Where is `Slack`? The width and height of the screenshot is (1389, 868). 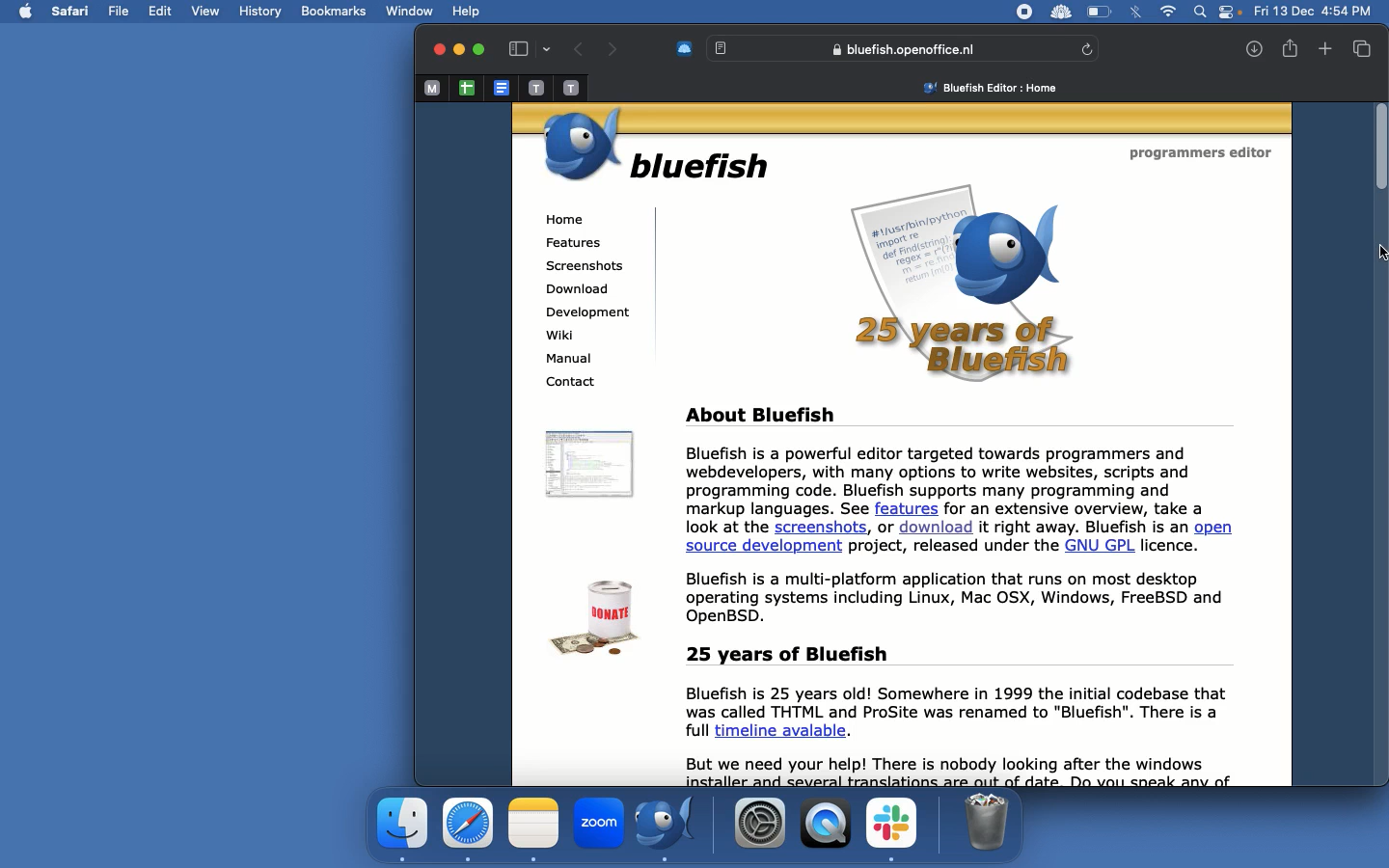 Slack is located at coordinates (891, 827).